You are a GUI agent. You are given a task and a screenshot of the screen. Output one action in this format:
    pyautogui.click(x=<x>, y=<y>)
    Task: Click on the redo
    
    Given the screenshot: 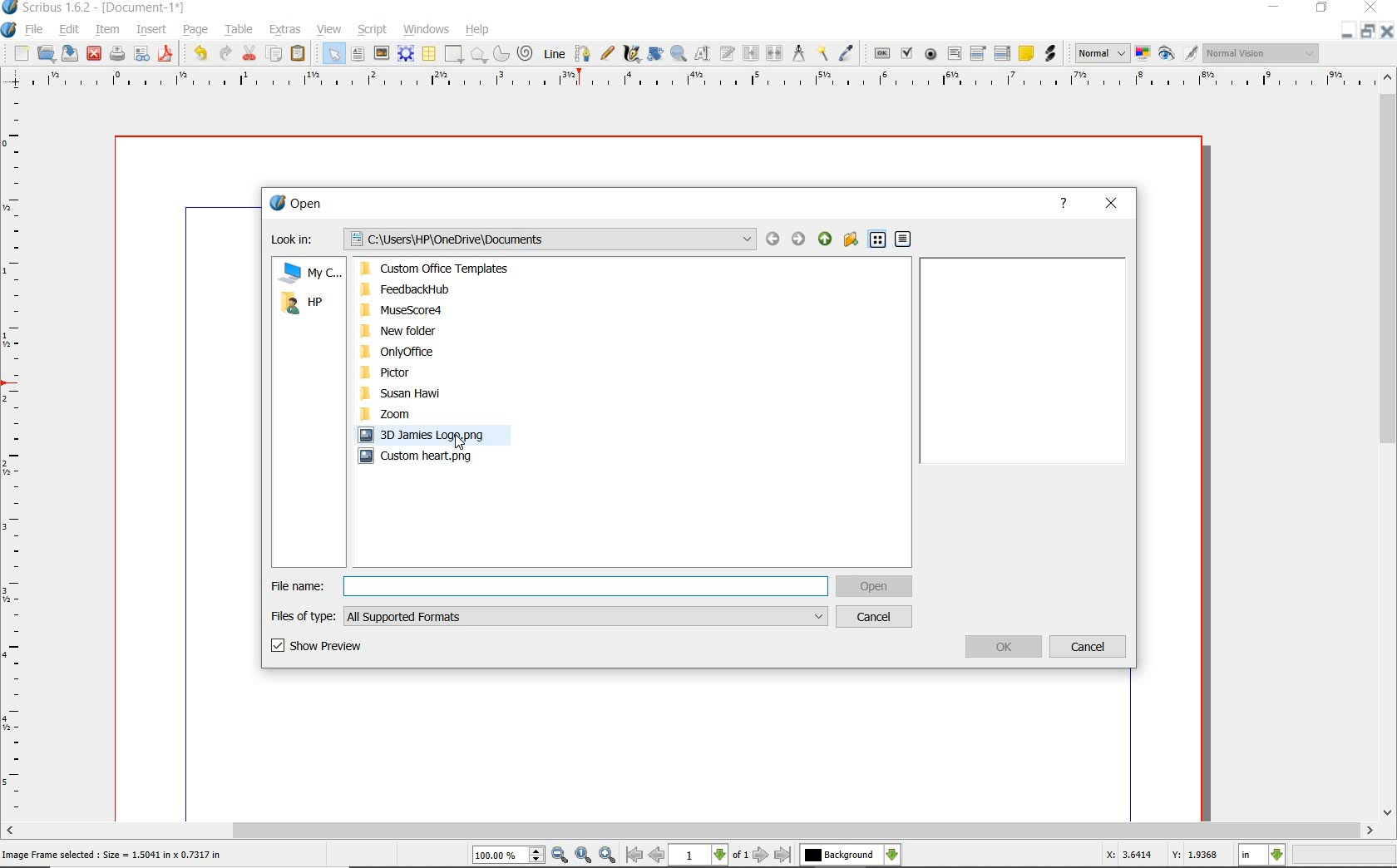 What is the action you would take?
    pyautogui.click(x=225, y=52)
    